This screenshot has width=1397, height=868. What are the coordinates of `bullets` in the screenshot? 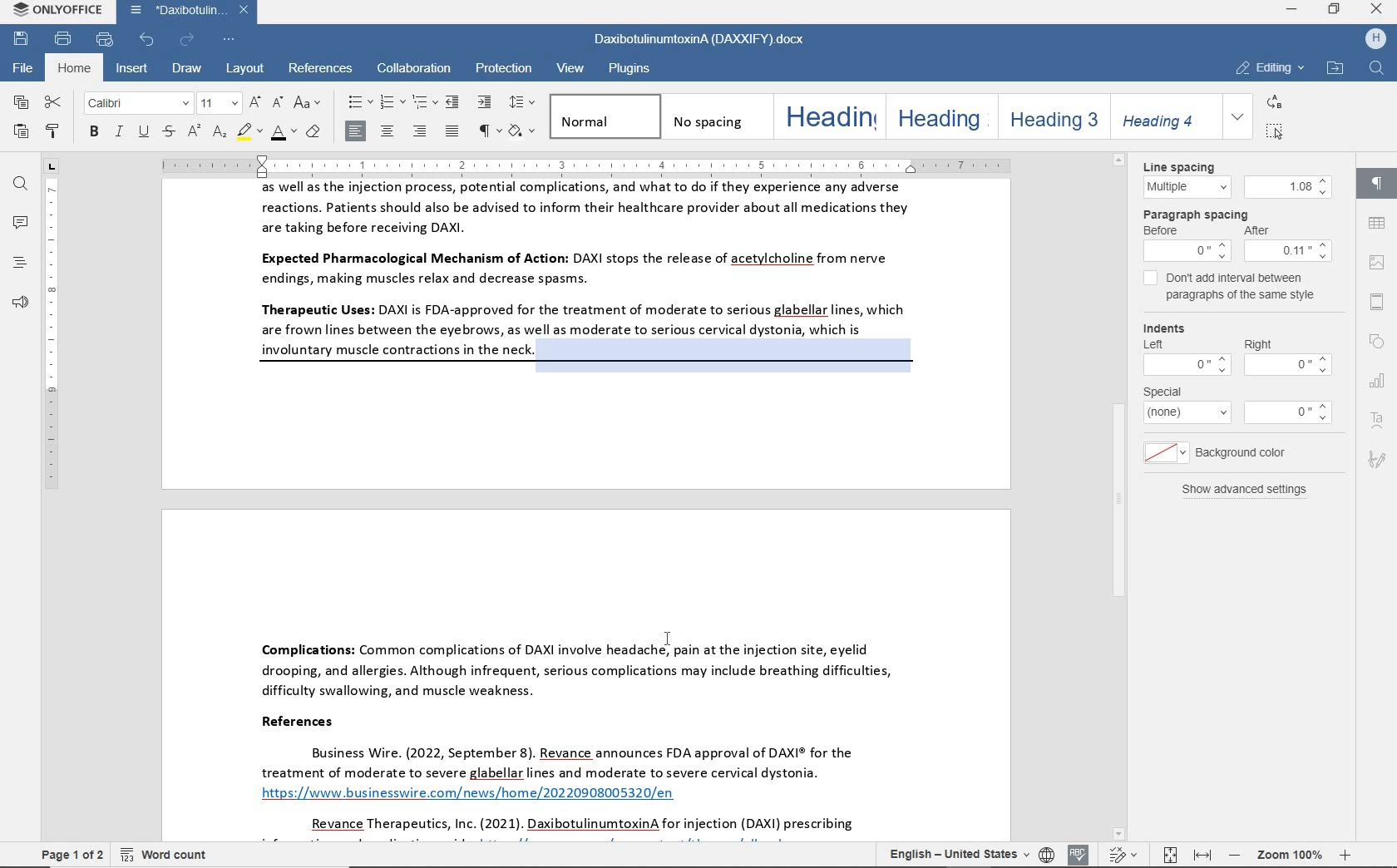 It's located at (358, 103).